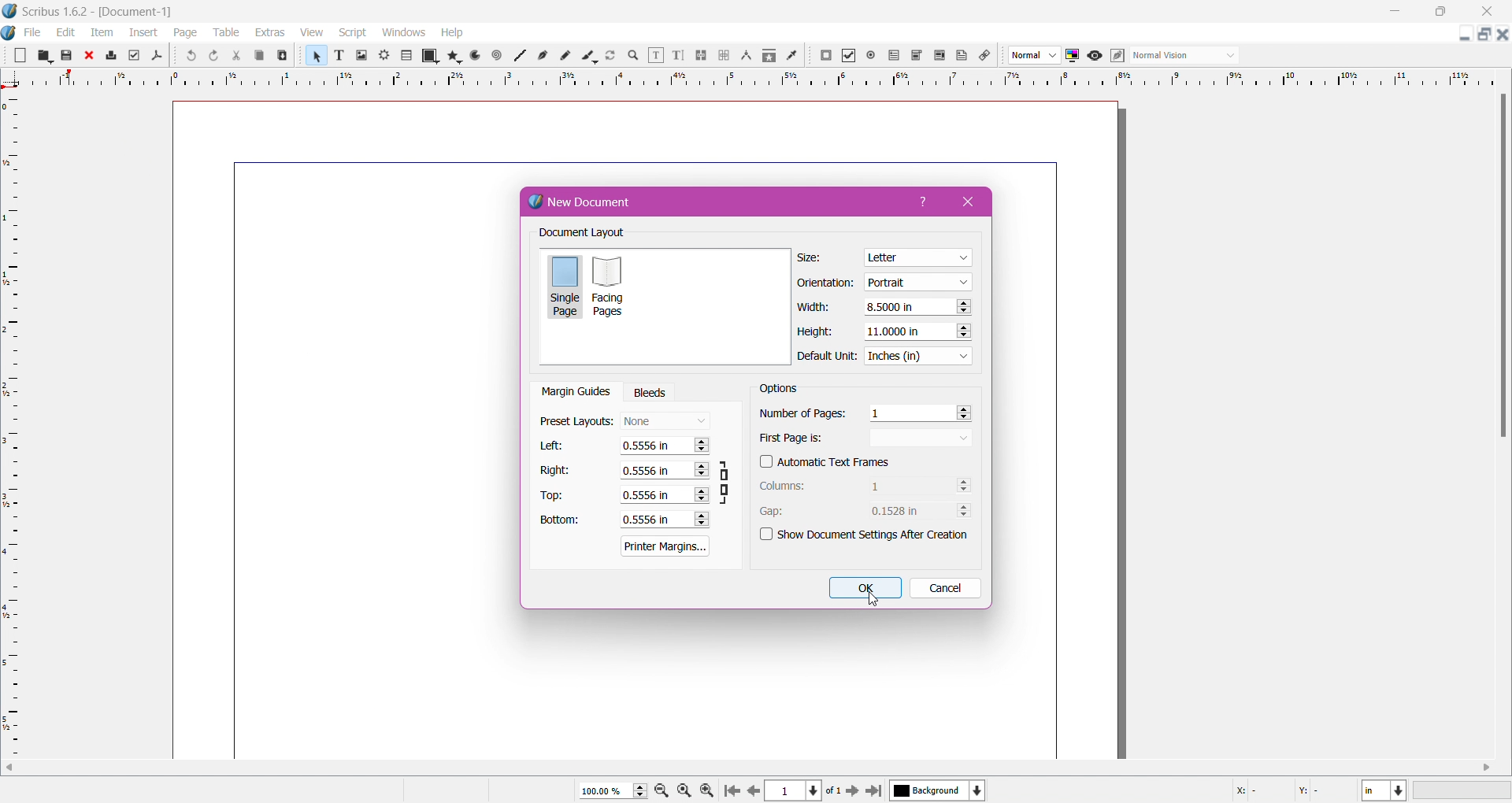 The width and height of the screenshot is (1512, 803). What do you see at coordinates (340, 56) in the screenshot?
I see `text size` at bounding box center [340, 56].